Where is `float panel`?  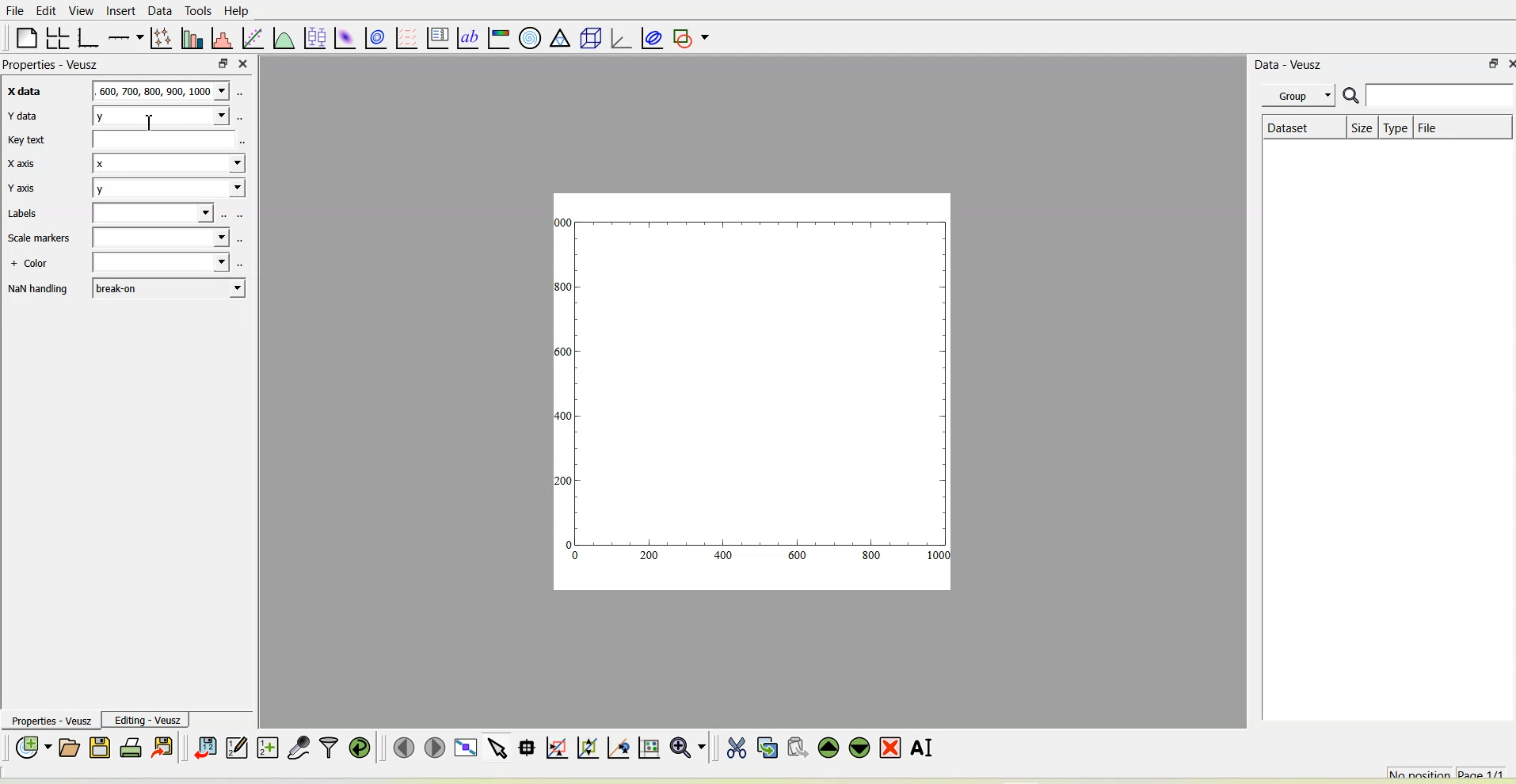 float panel is located at coordinates (224, 63).